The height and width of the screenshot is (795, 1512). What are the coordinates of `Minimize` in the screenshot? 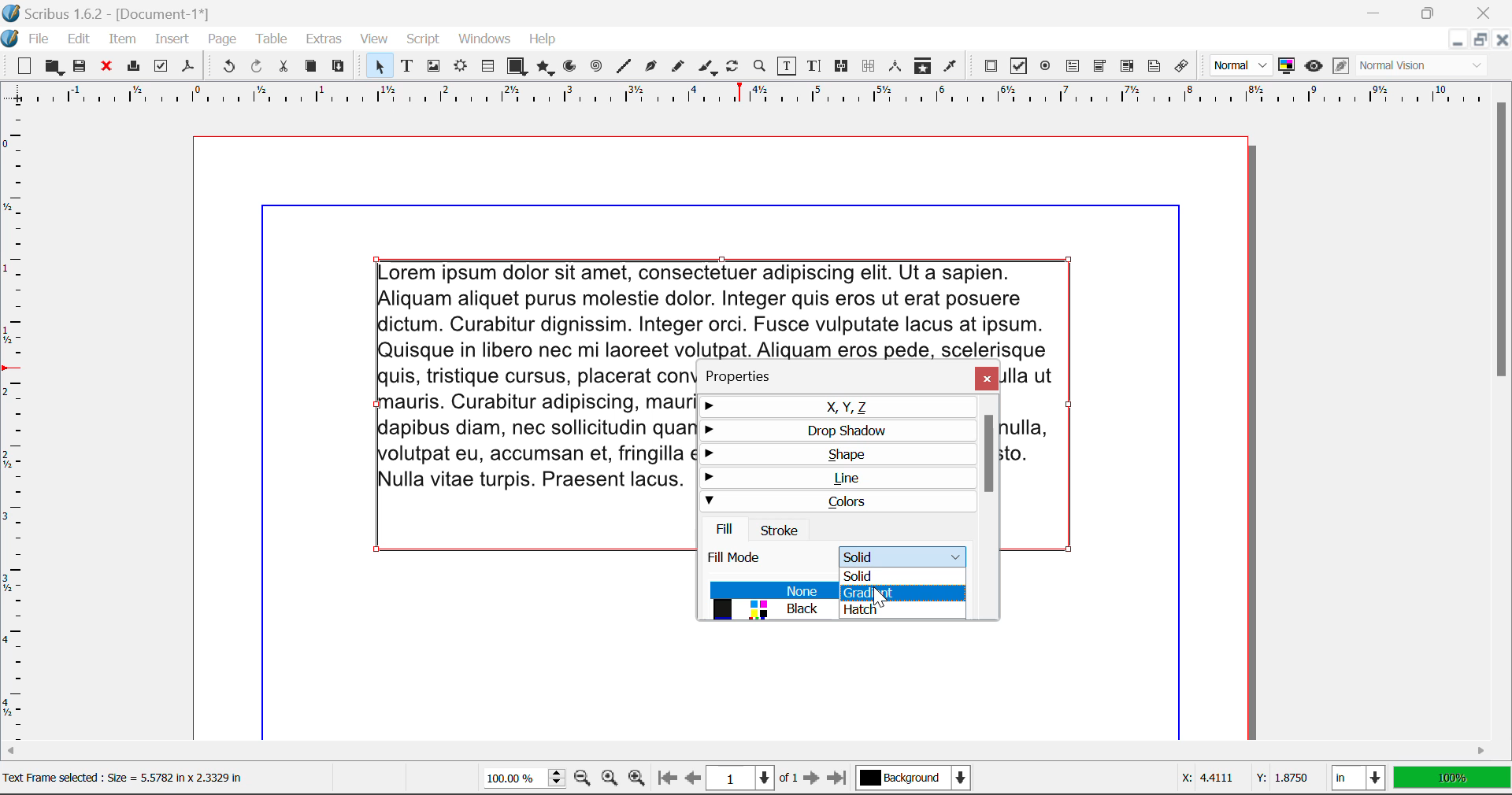 It's located at (1478, 39).